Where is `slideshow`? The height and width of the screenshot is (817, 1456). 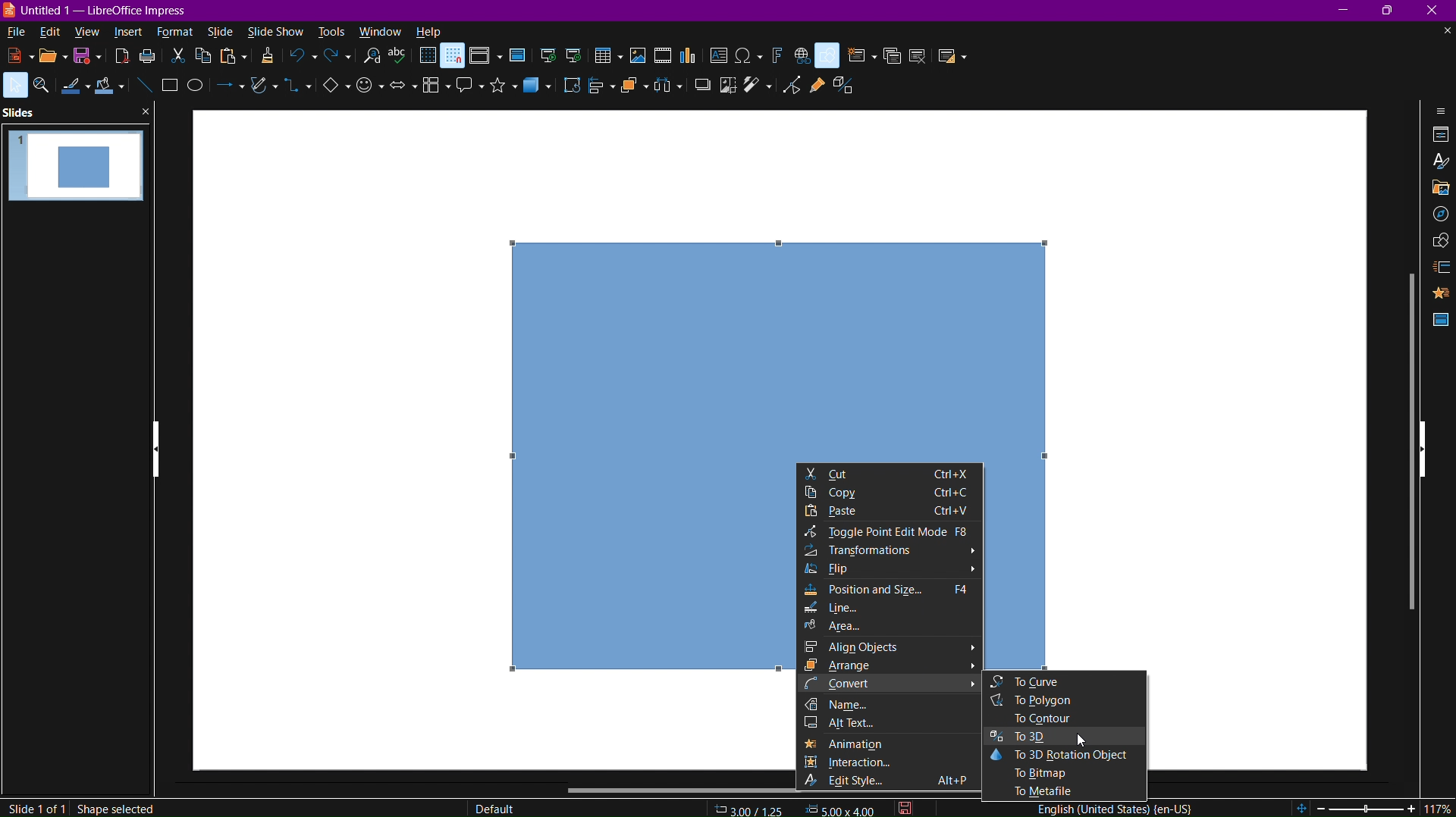 slideshow is located at coordinates (275, 31).